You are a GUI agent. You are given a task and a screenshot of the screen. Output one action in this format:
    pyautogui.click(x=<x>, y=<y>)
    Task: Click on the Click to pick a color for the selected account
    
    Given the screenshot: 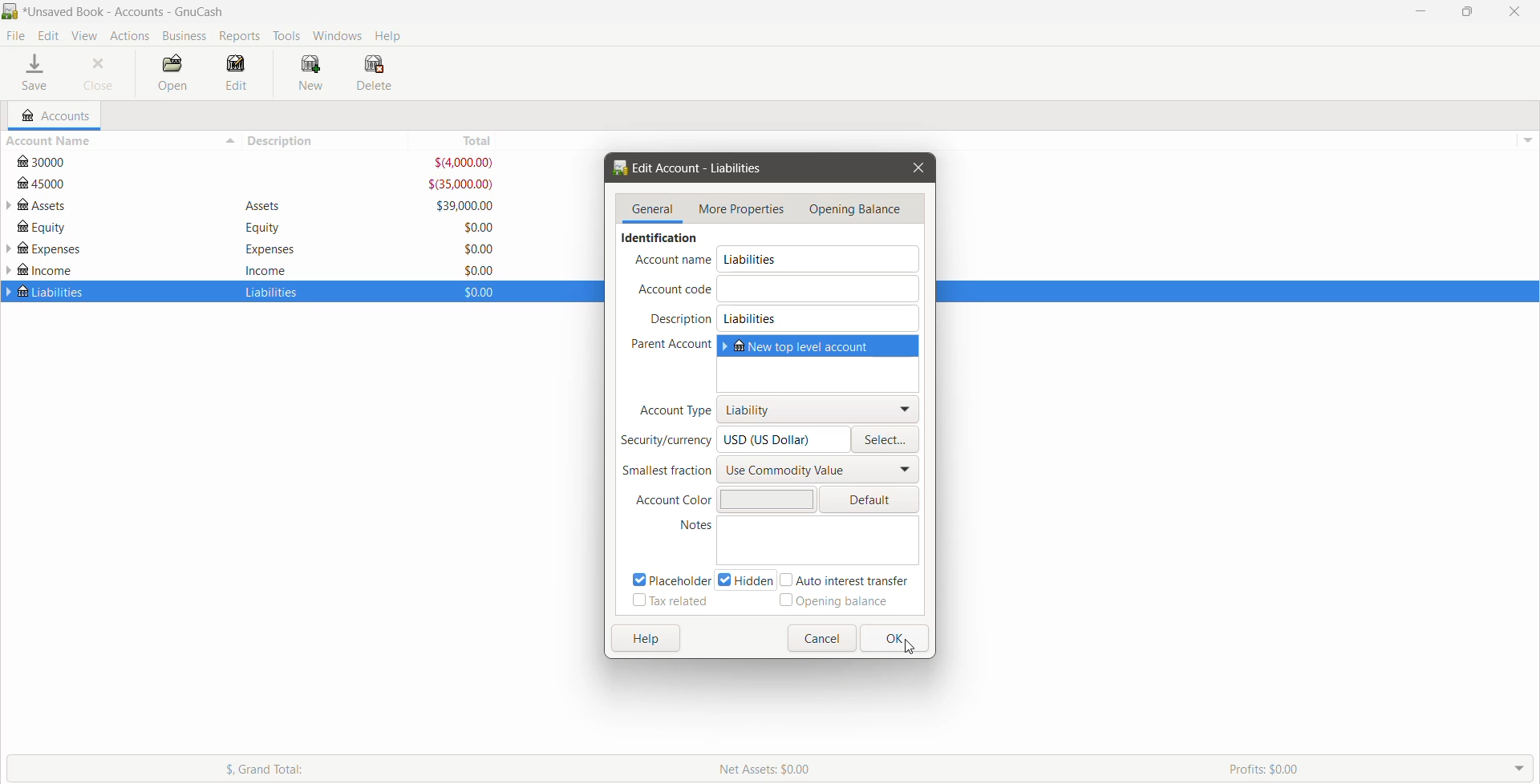 What is the action you would take?
    pyautogui.click(x=869, y=499)
    